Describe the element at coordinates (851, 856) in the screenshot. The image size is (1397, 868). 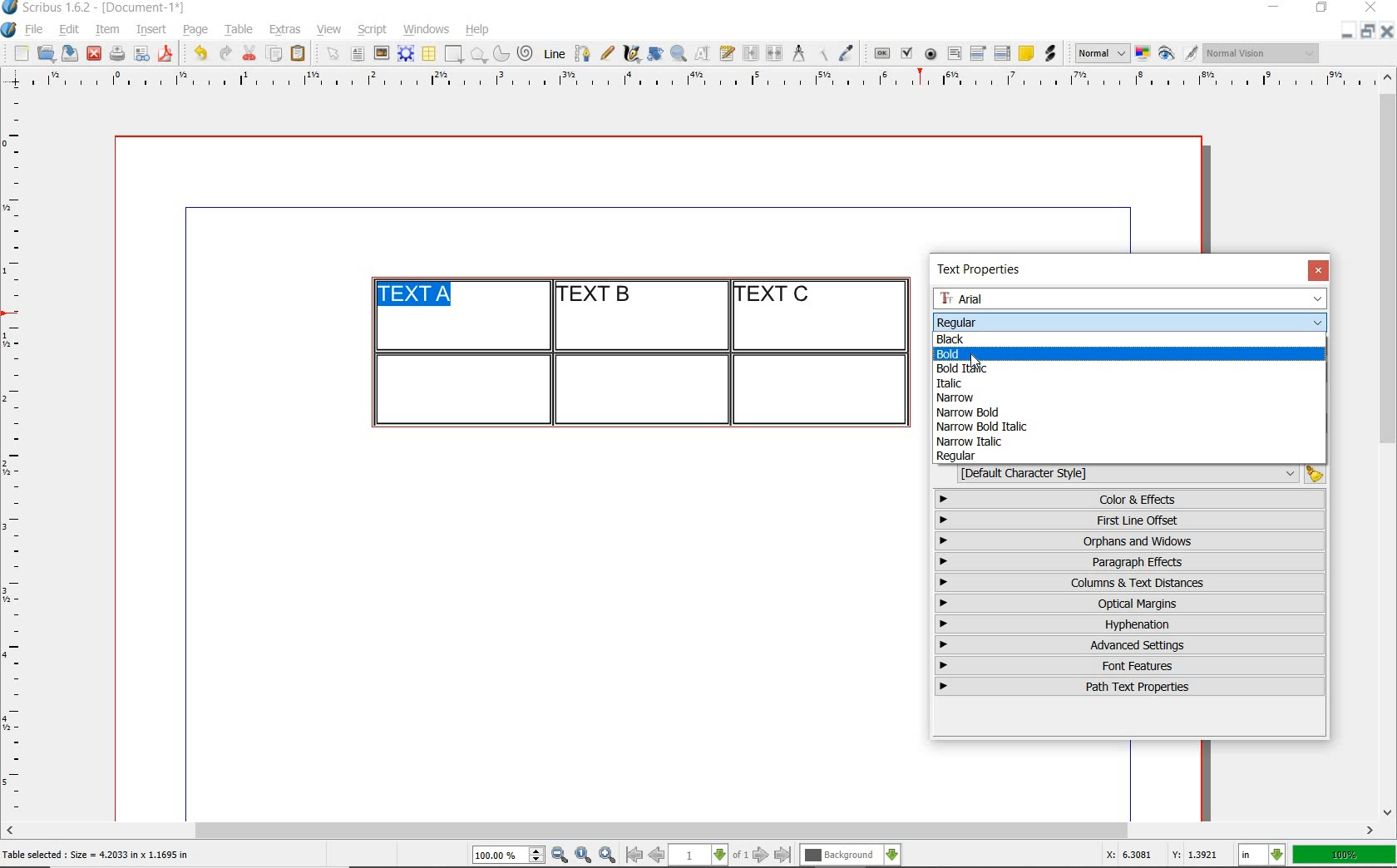
I see `select the current layer` at that location.